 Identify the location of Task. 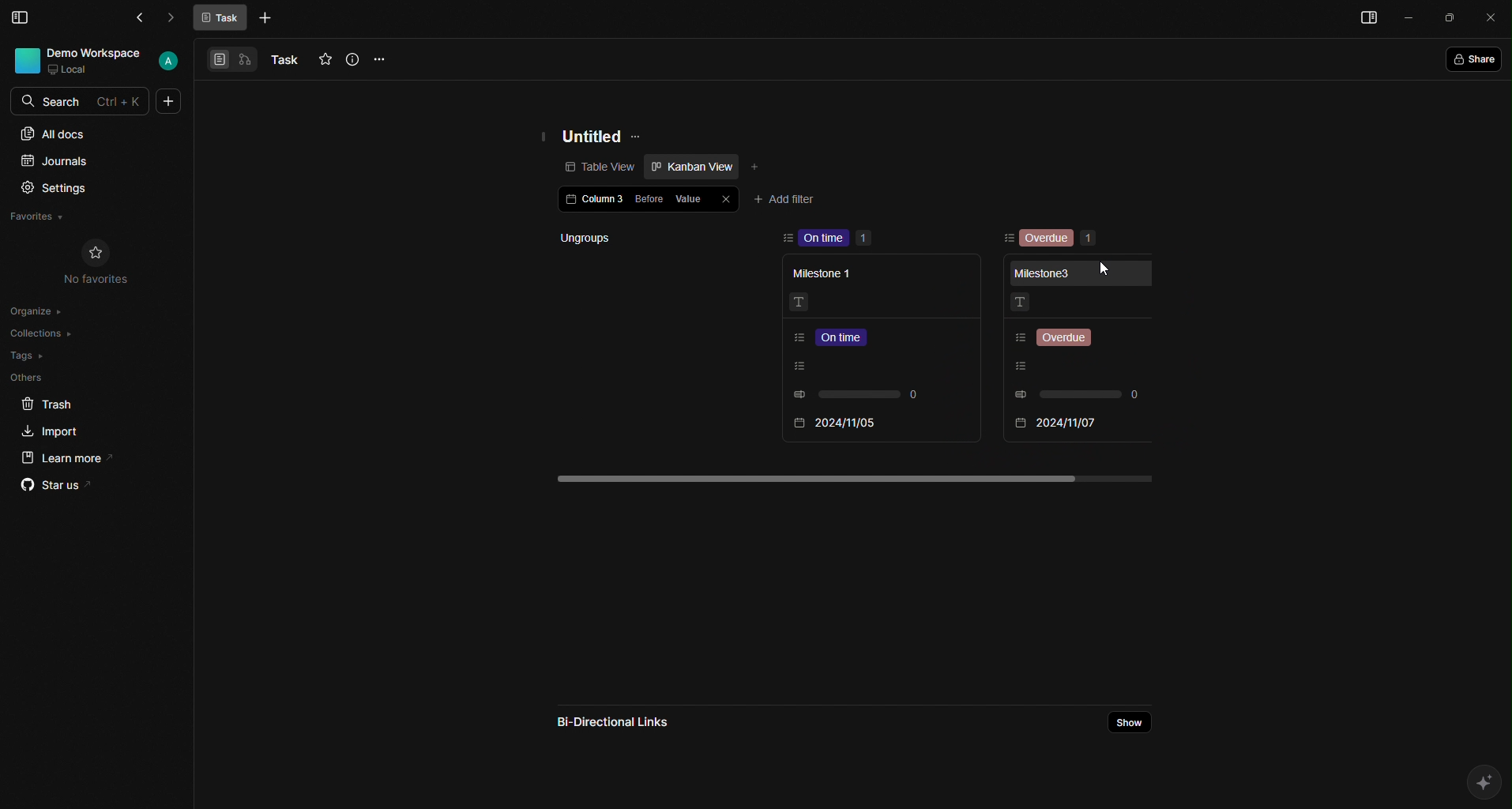
(284, 60).